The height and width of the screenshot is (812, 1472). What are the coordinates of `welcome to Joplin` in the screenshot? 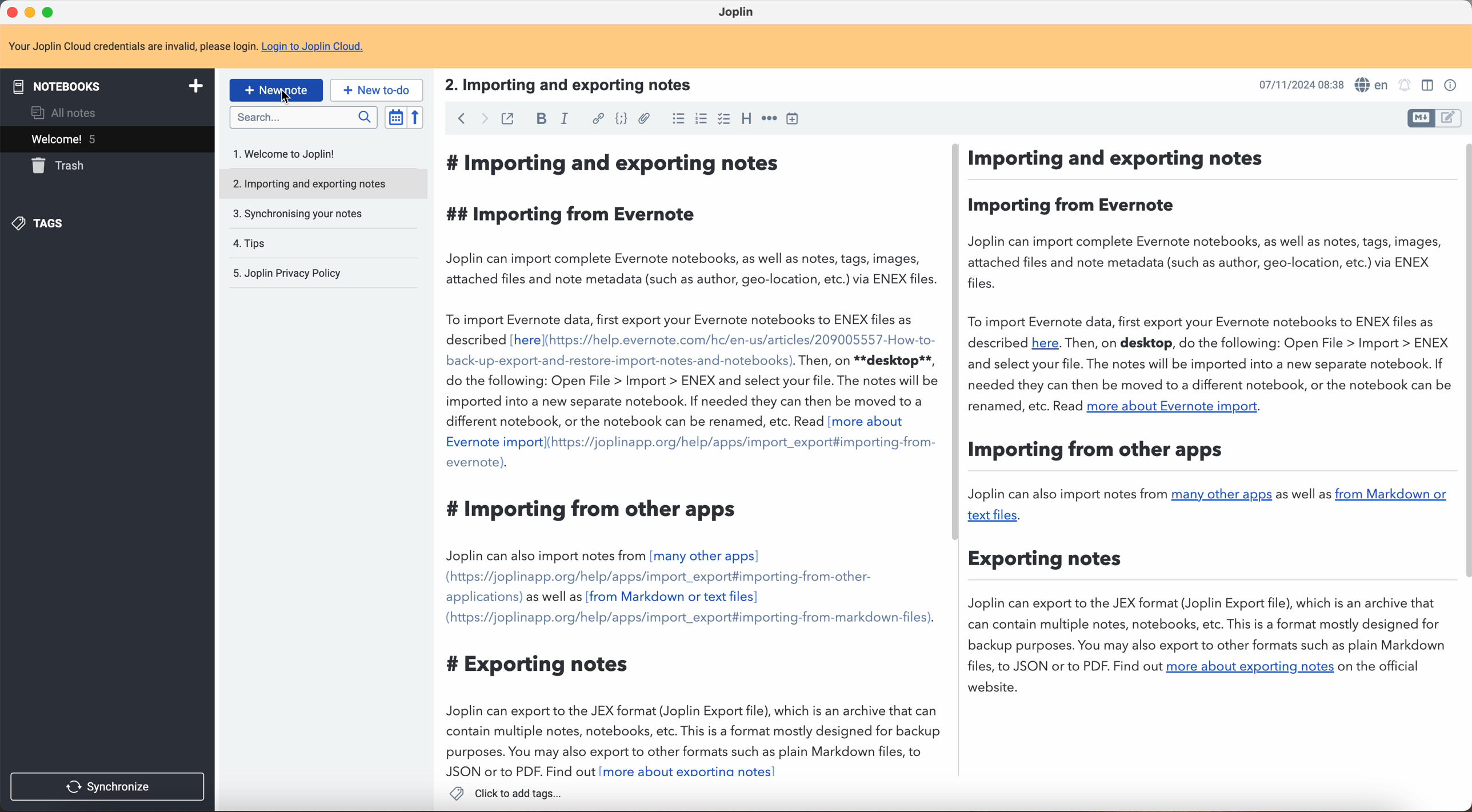 It's located at (287, 155).